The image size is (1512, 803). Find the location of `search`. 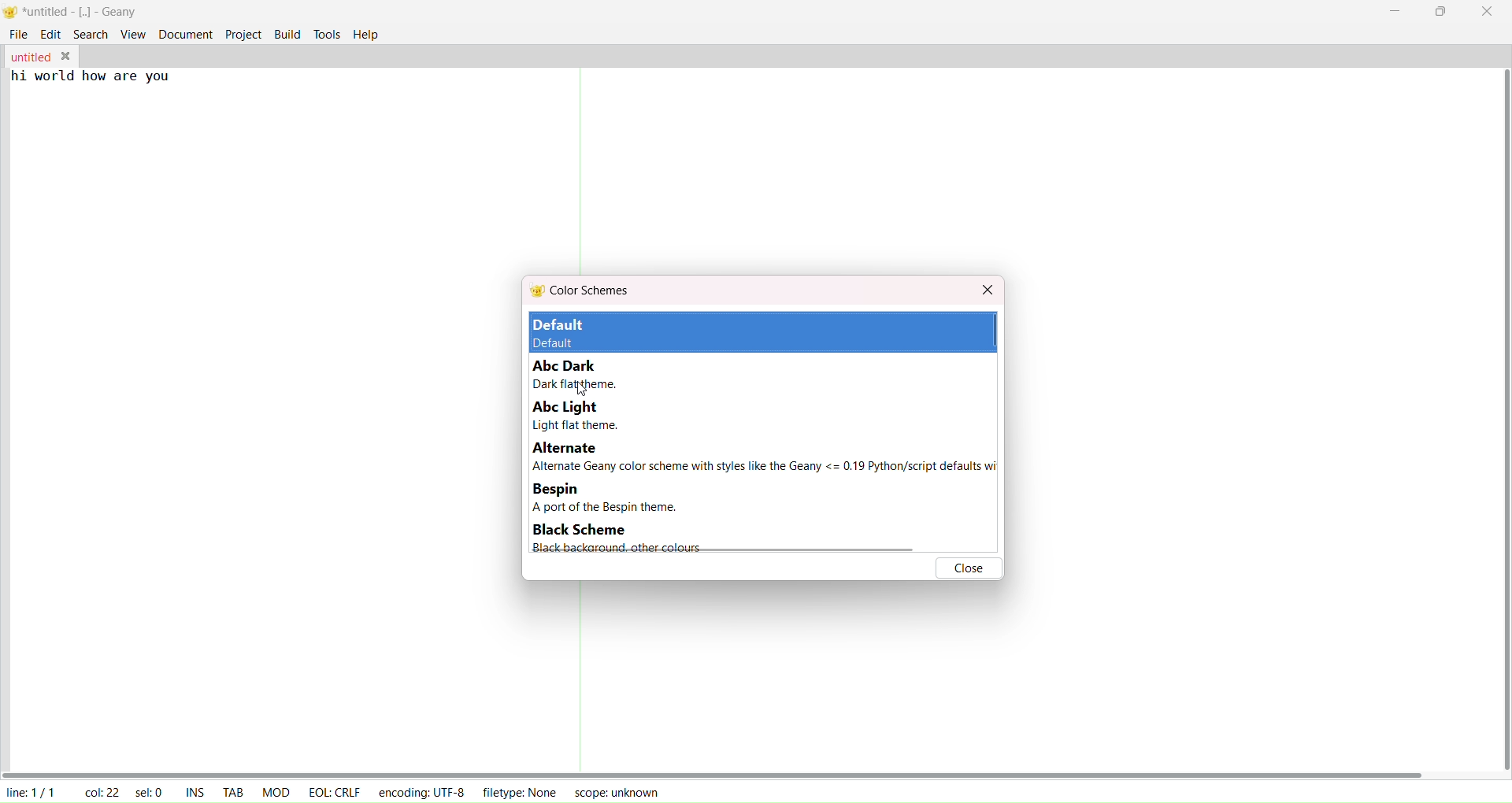

search is located at coordinates (90, 34).